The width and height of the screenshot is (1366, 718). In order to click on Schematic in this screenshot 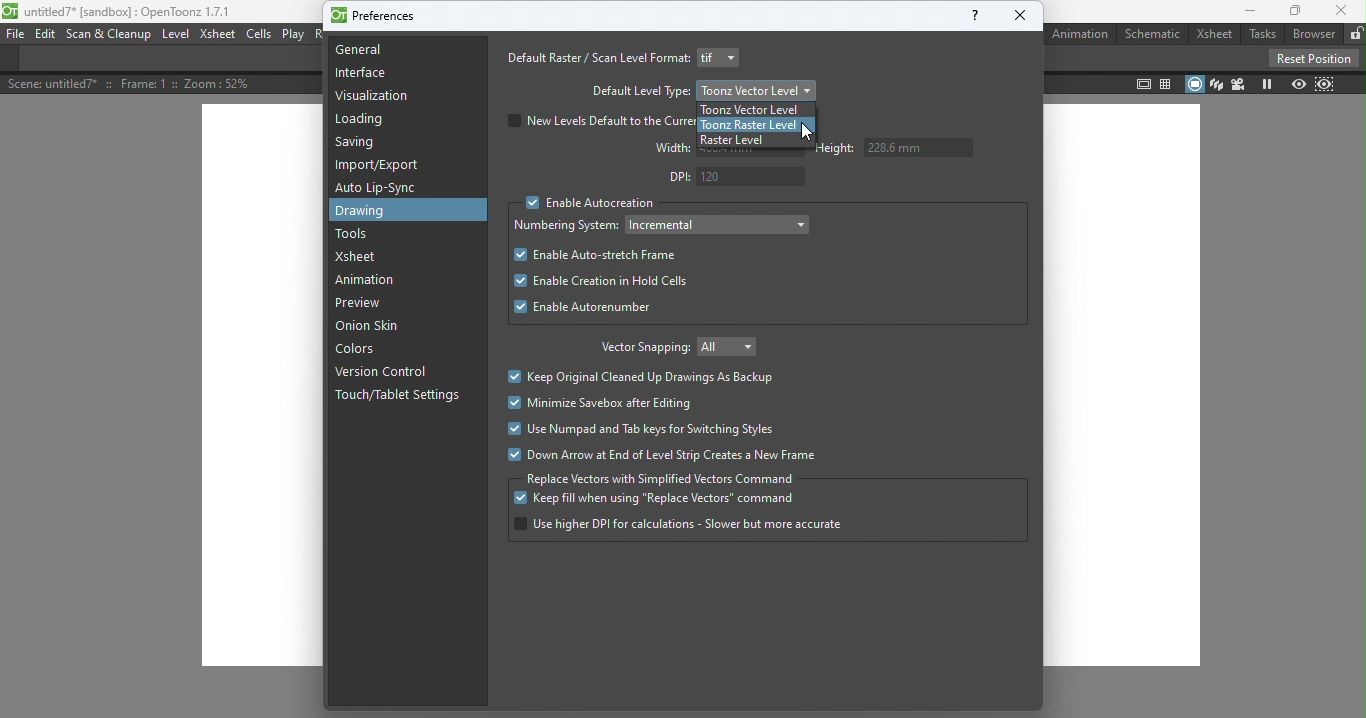, I will do `click(1154, 33)`.